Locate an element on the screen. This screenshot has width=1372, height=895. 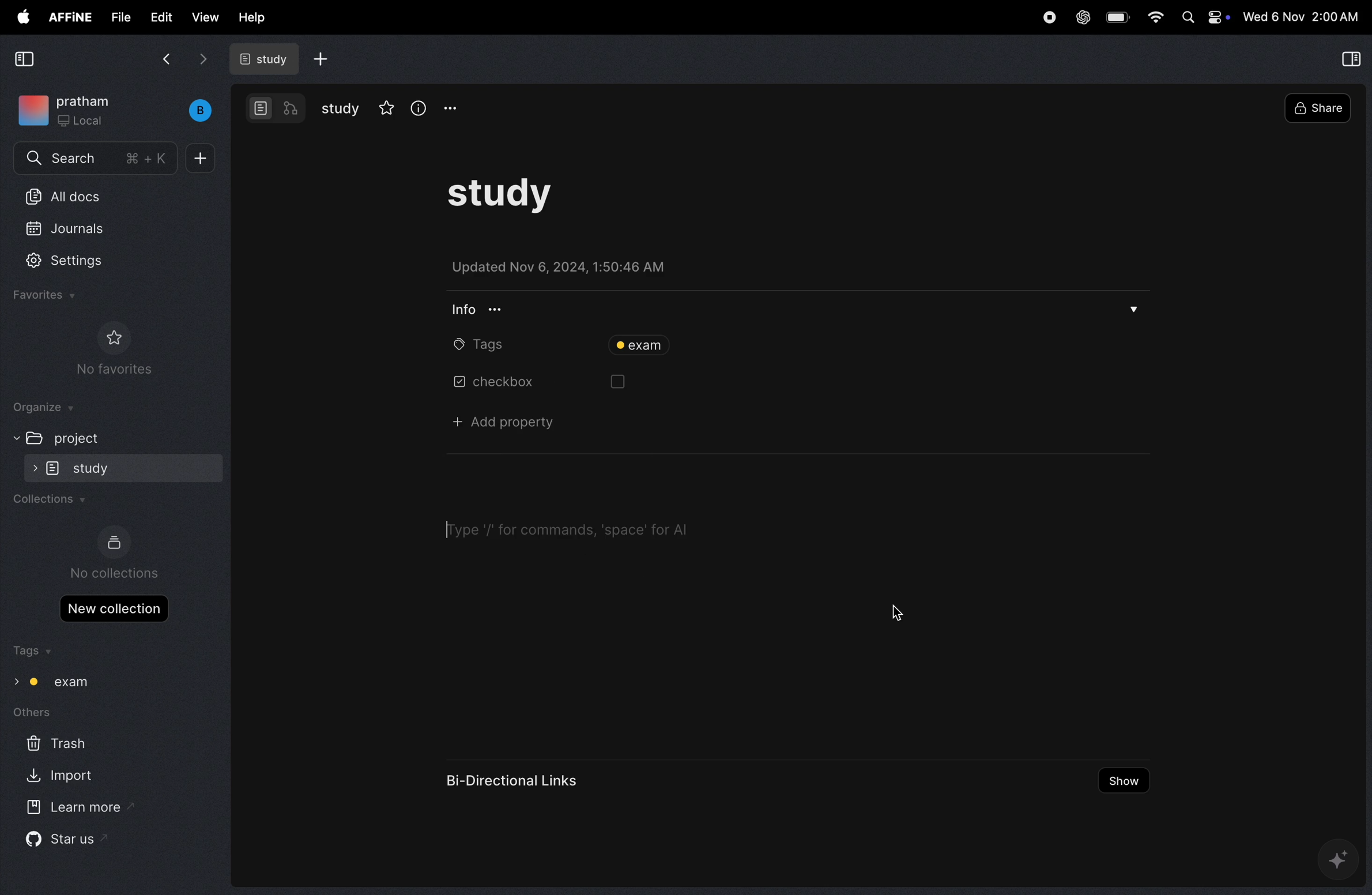
learn more is located at coordinates (82, 808).